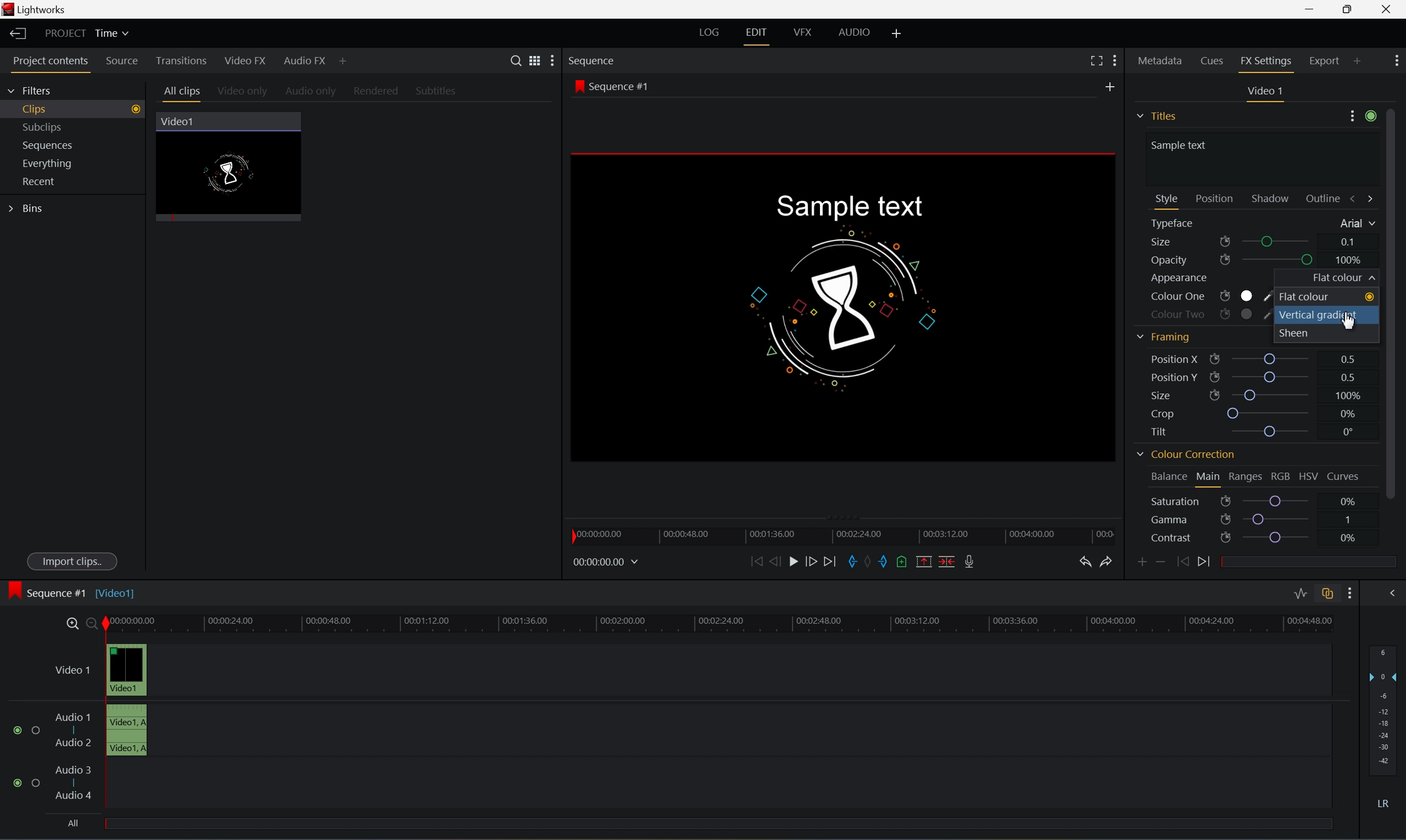 The width and height of the screenshot is (1406, 840). What do you see at coordinates (1328, 297) in the screenshot?
I see `flat color` at bounding box center [1328, 297].